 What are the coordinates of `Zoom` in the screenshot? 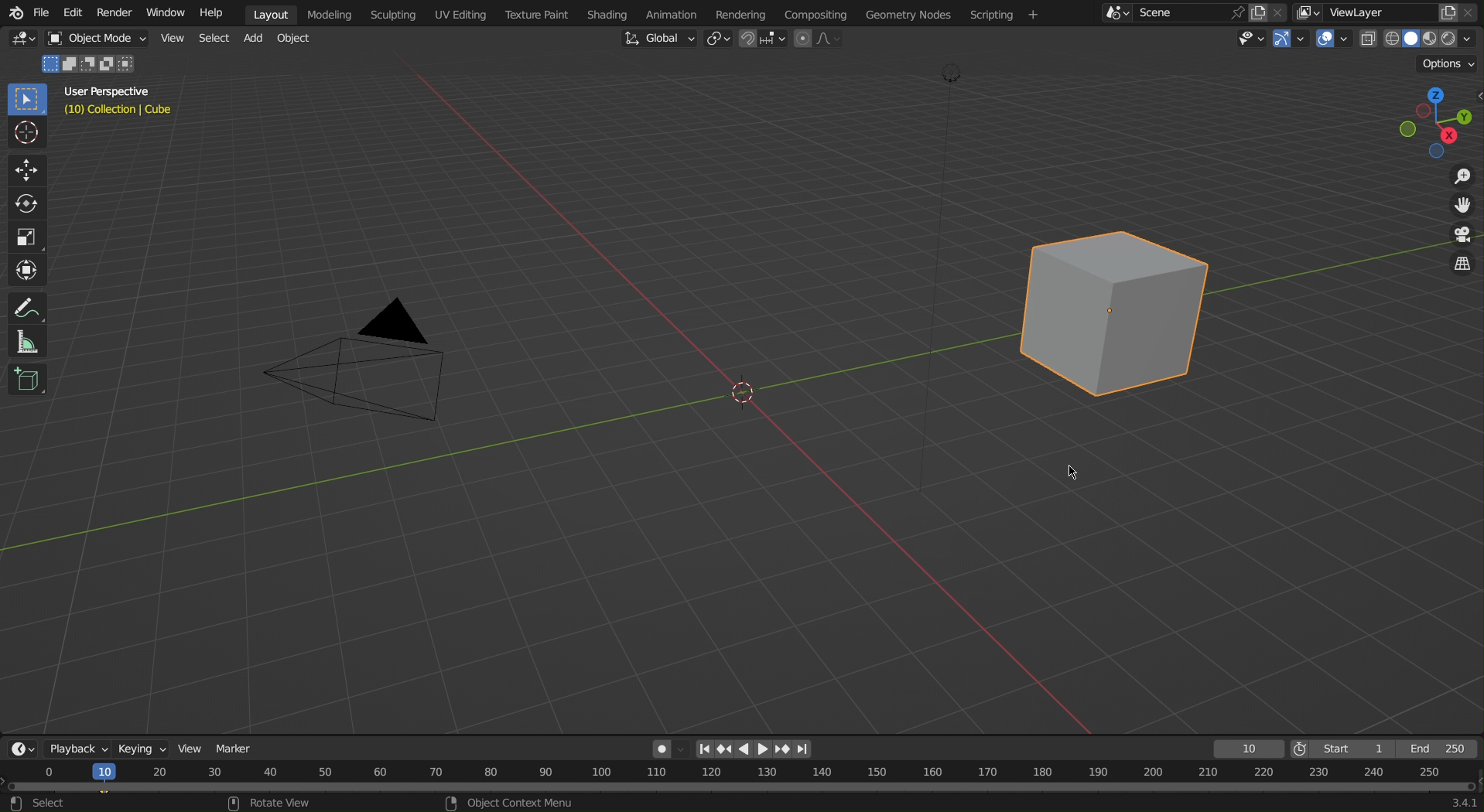 It's located at (1455, 179).